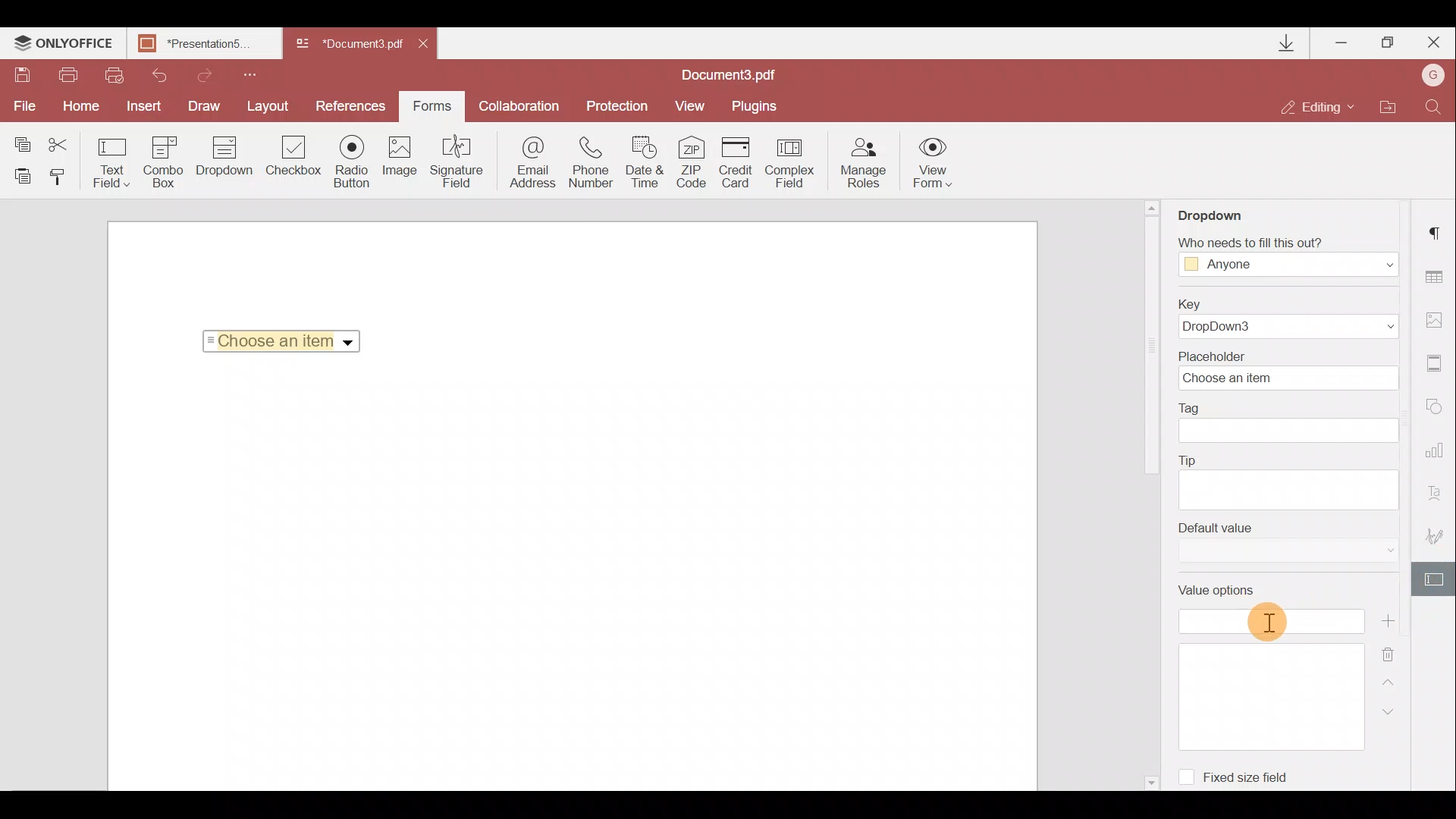 This screenshot has height=819, width=1456. I want to click on Dropdown, so click(221, 165).